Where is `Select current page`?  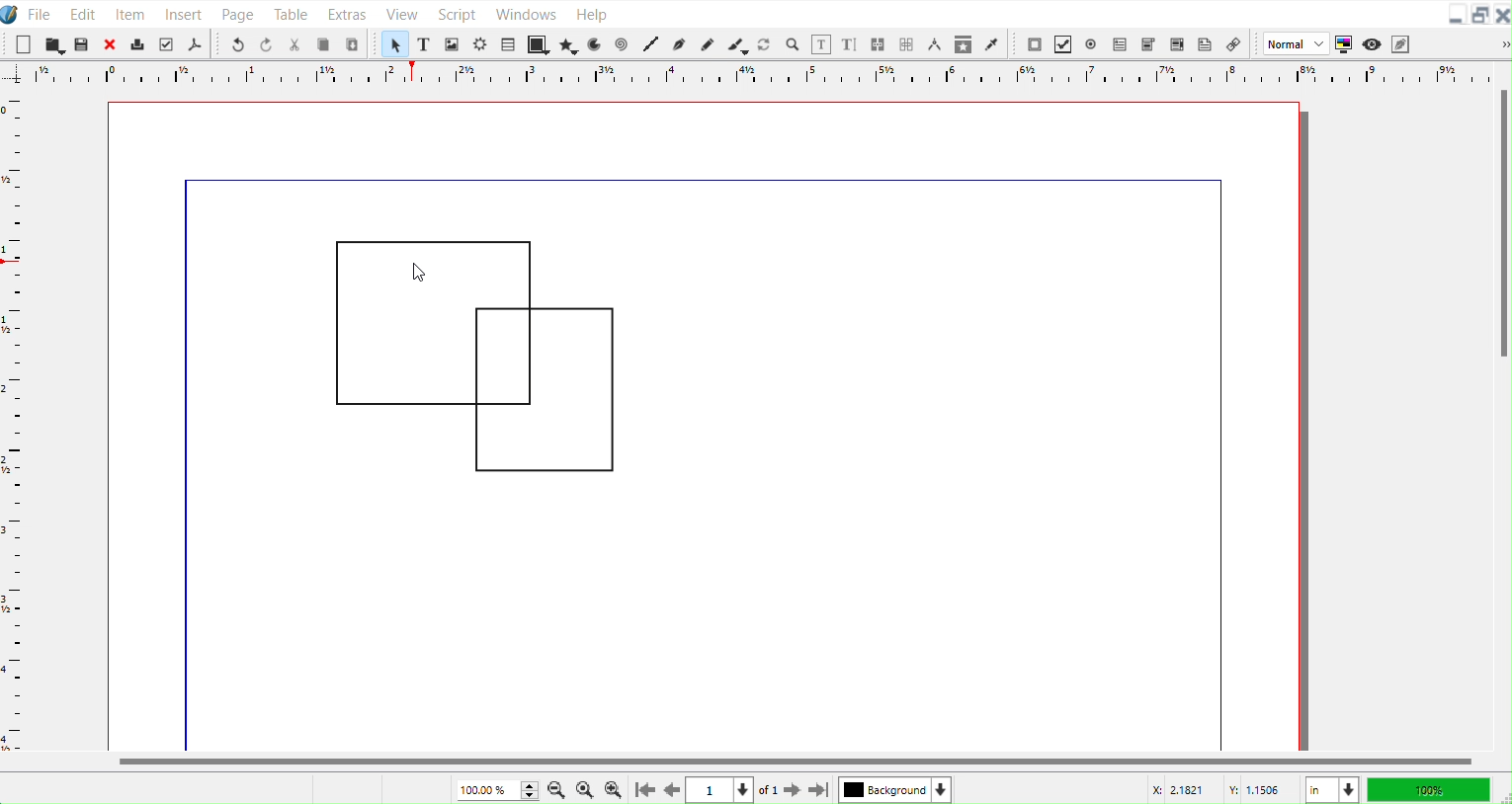
Select current page is located at coordinates (721, 790).